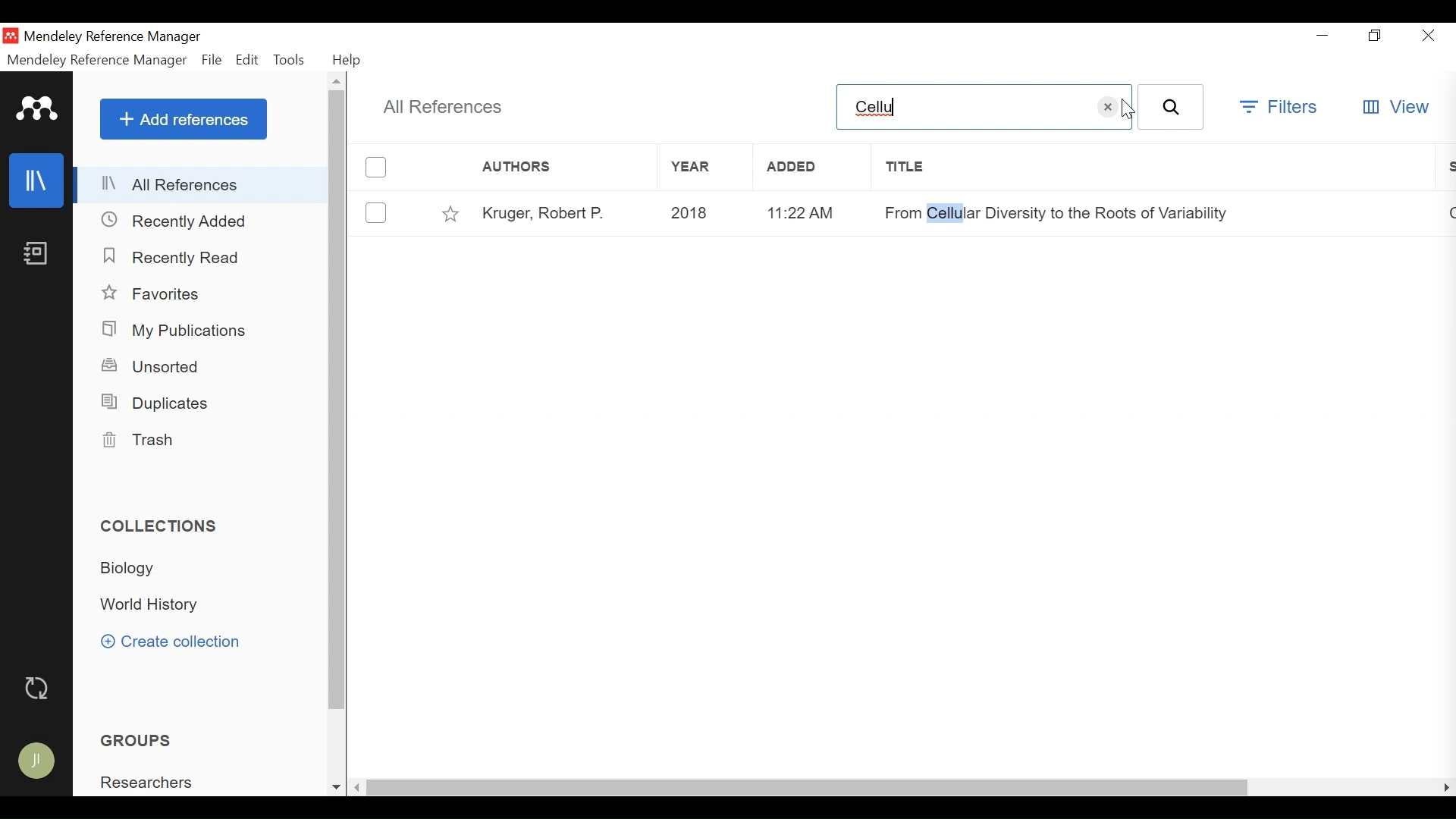  I want to click on Authors, so click(547, 168).